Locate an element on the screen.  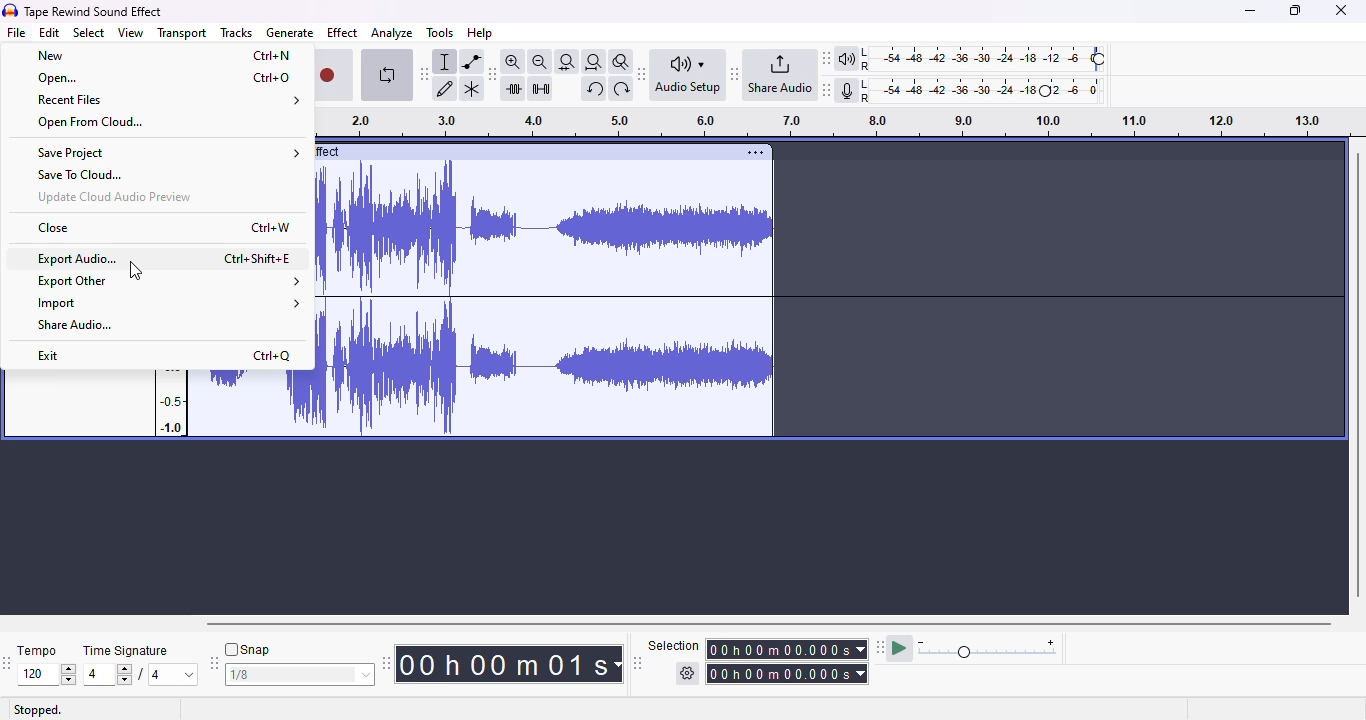
audacity time toolbar is located at coordinates (505, 664).